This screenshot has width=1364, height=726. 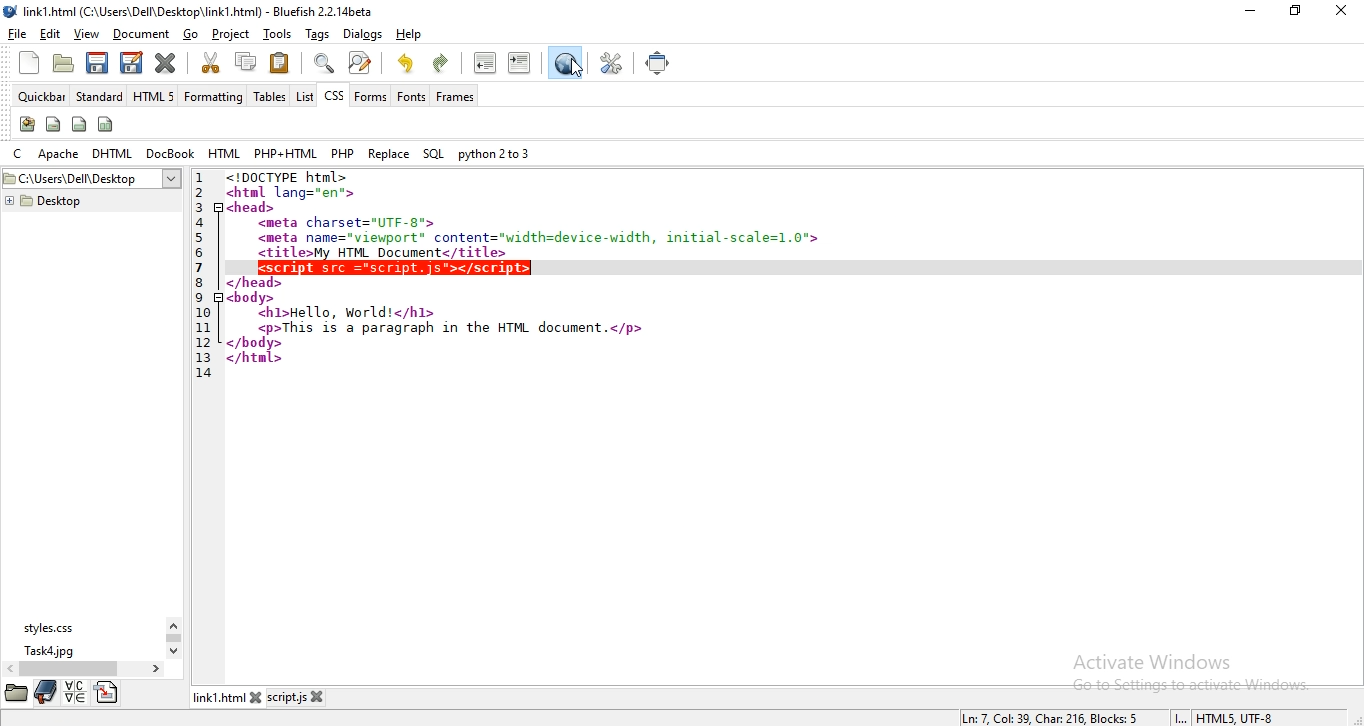 I want to click on replace, so click(x=389, y=153).